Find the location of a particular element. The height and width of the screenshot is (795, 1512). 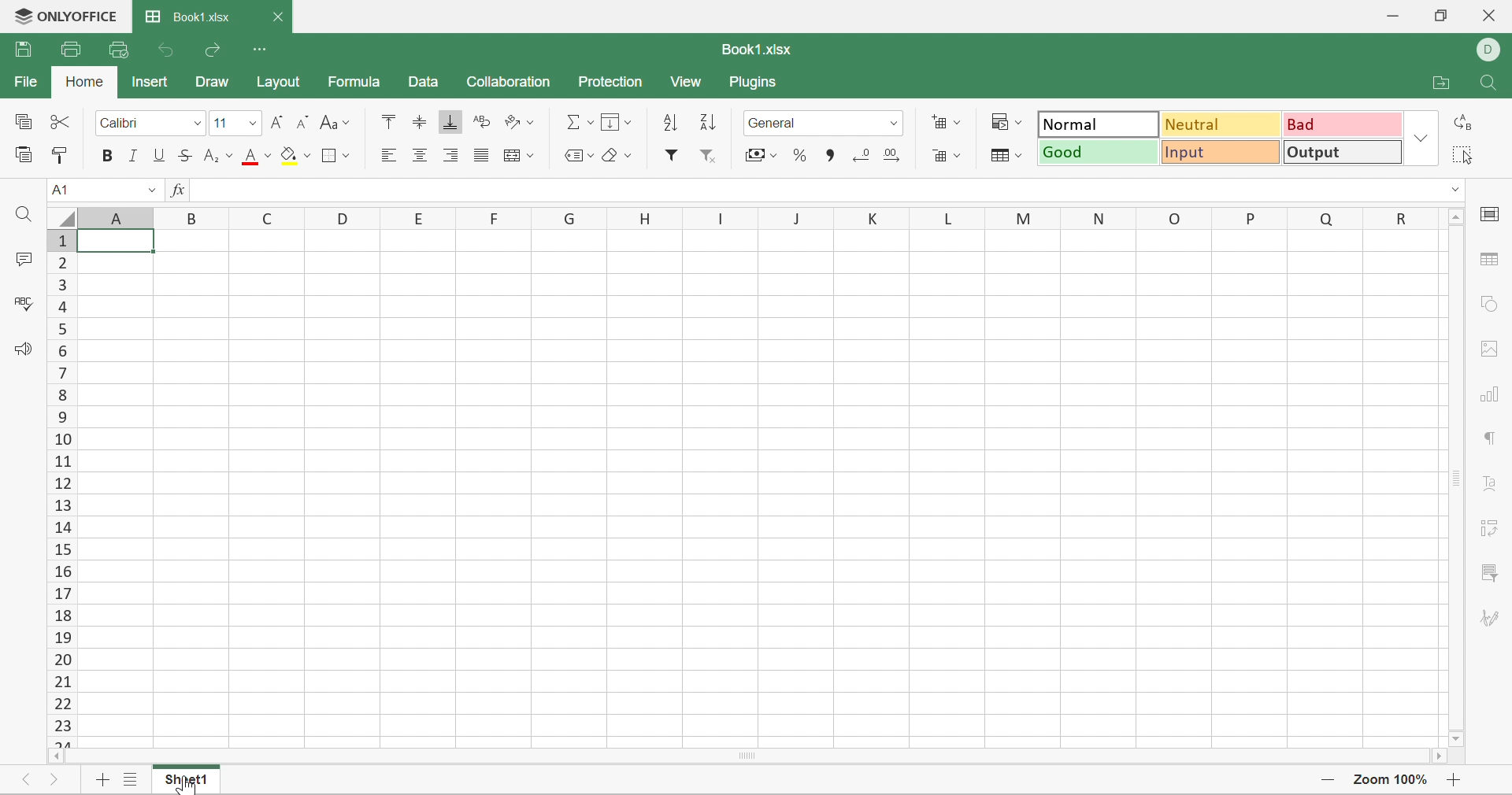

Feedback & Support is located at coordinates (21, 349).